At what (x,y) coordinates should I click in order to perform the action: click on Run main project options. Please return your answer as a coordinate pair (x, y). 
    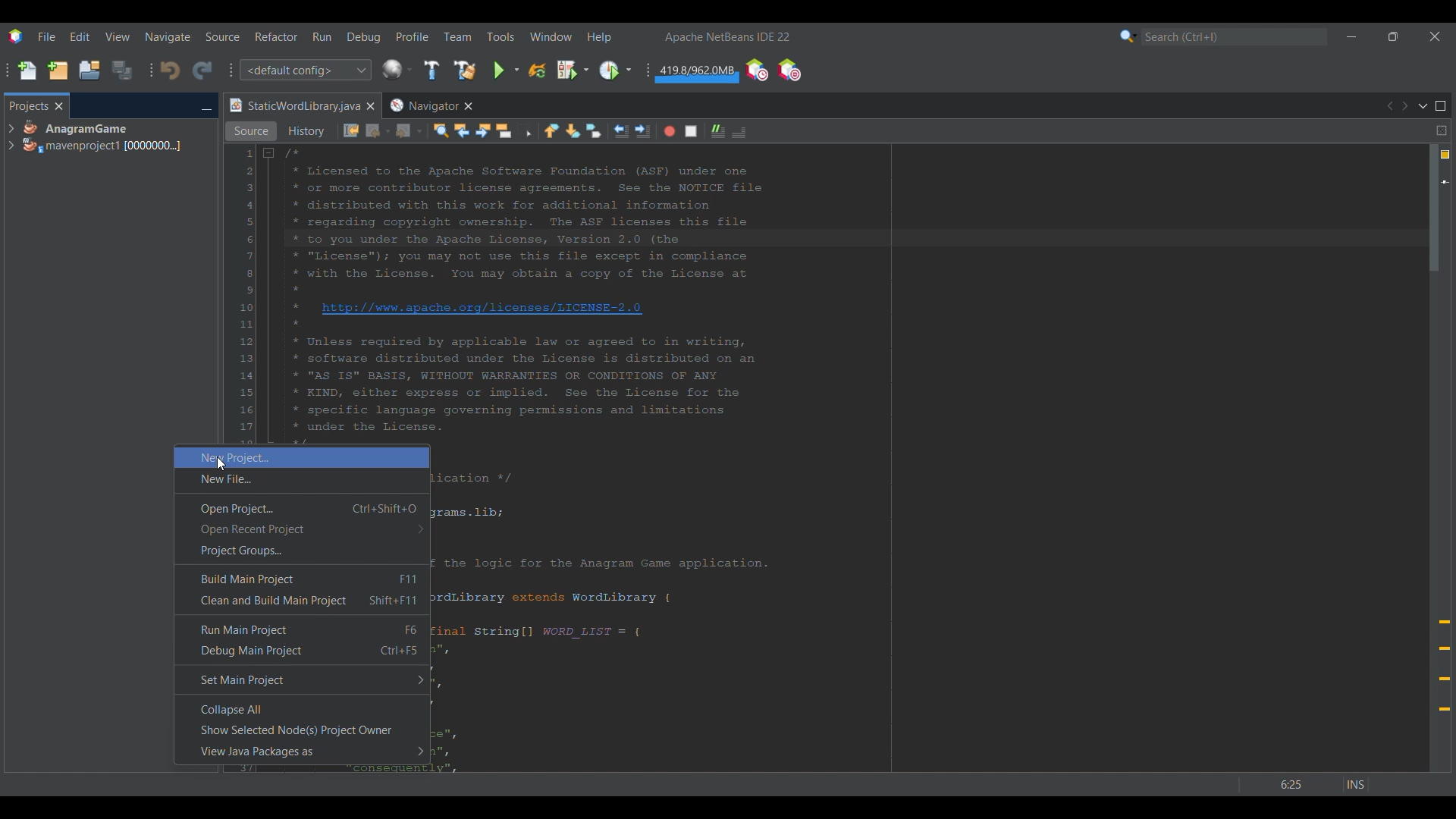
    Looking at the image, I should click on (507, 70).